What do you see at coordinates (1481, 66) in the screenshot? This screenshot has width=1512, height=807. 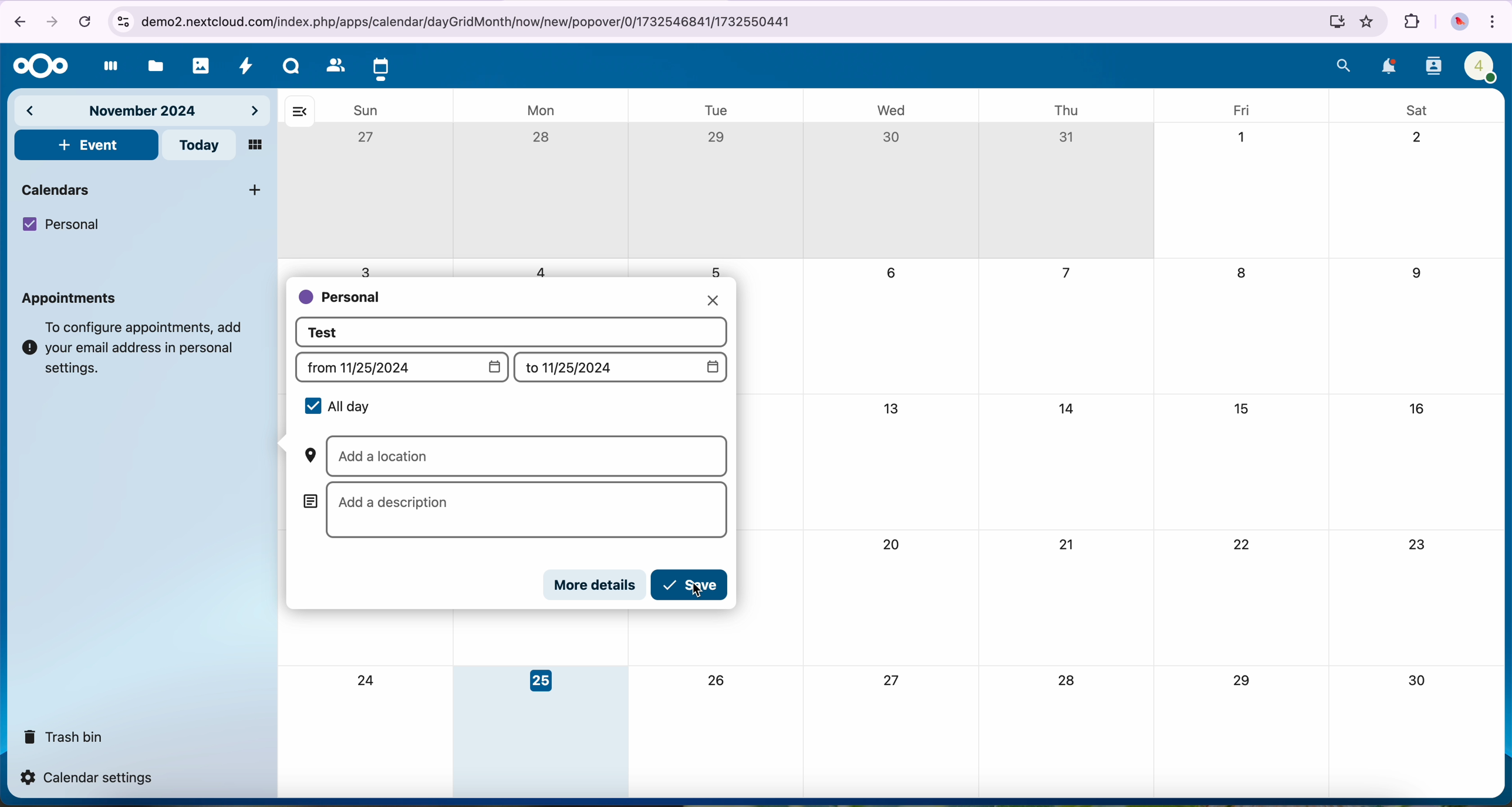 I see `profile` at bounding box center [1481, 66].